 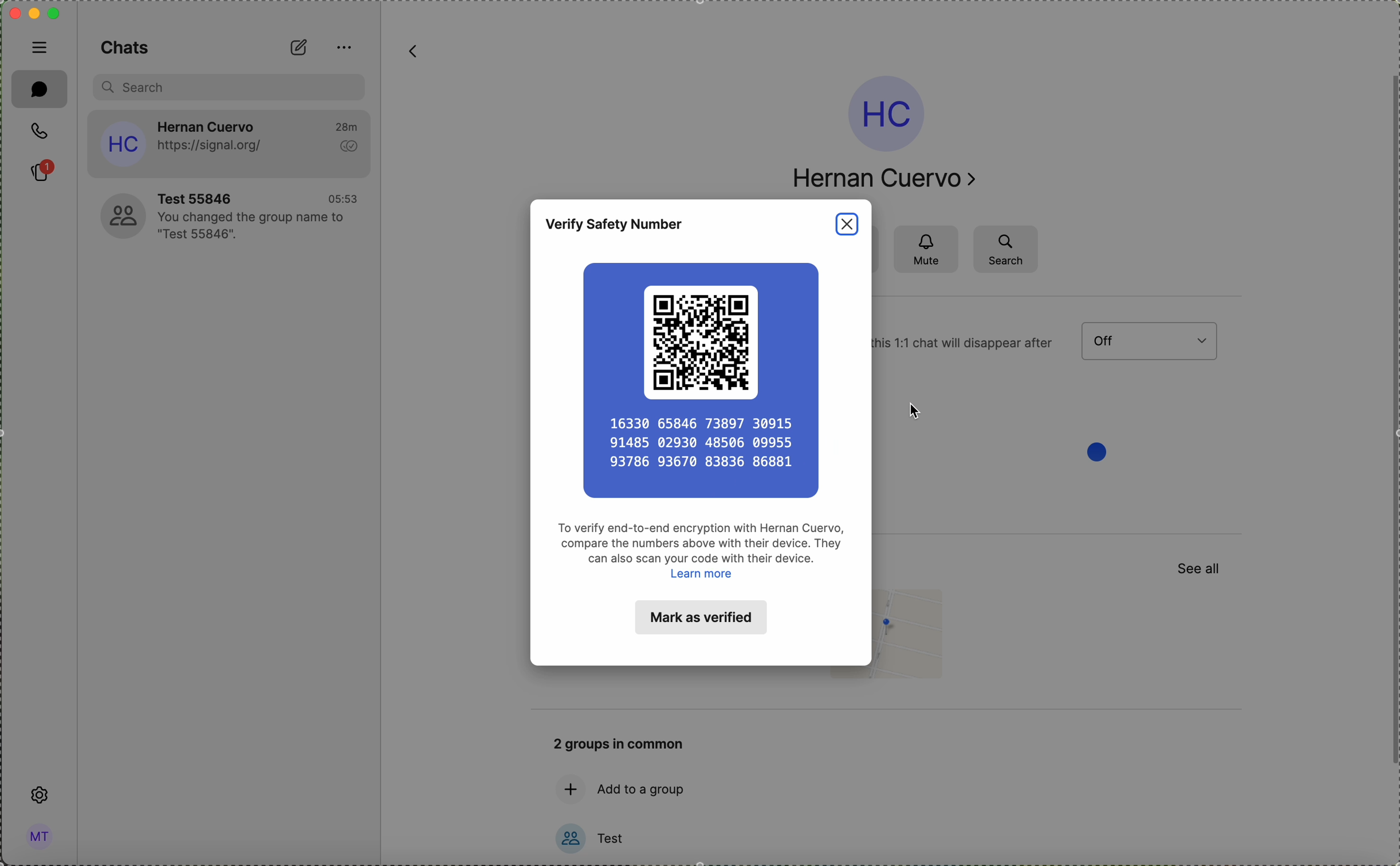 What do you see at coordinates (975, 345) in the screenshot?
I see `1:1 chat will disappear after` at bounding box center [975, 345].